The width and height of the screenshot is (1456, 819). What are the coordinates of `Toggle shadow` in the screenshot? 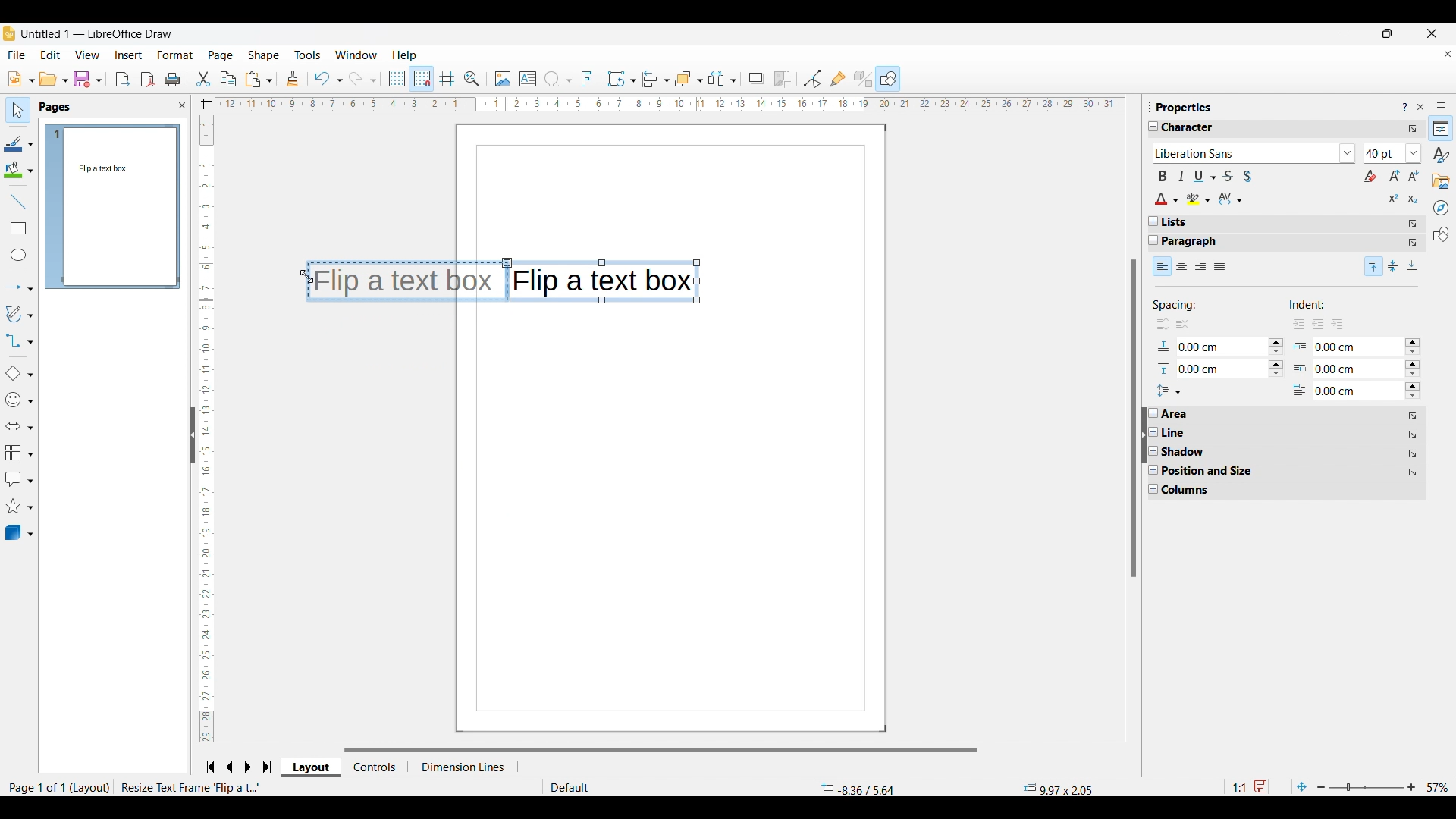 It's located at (1247, 176).